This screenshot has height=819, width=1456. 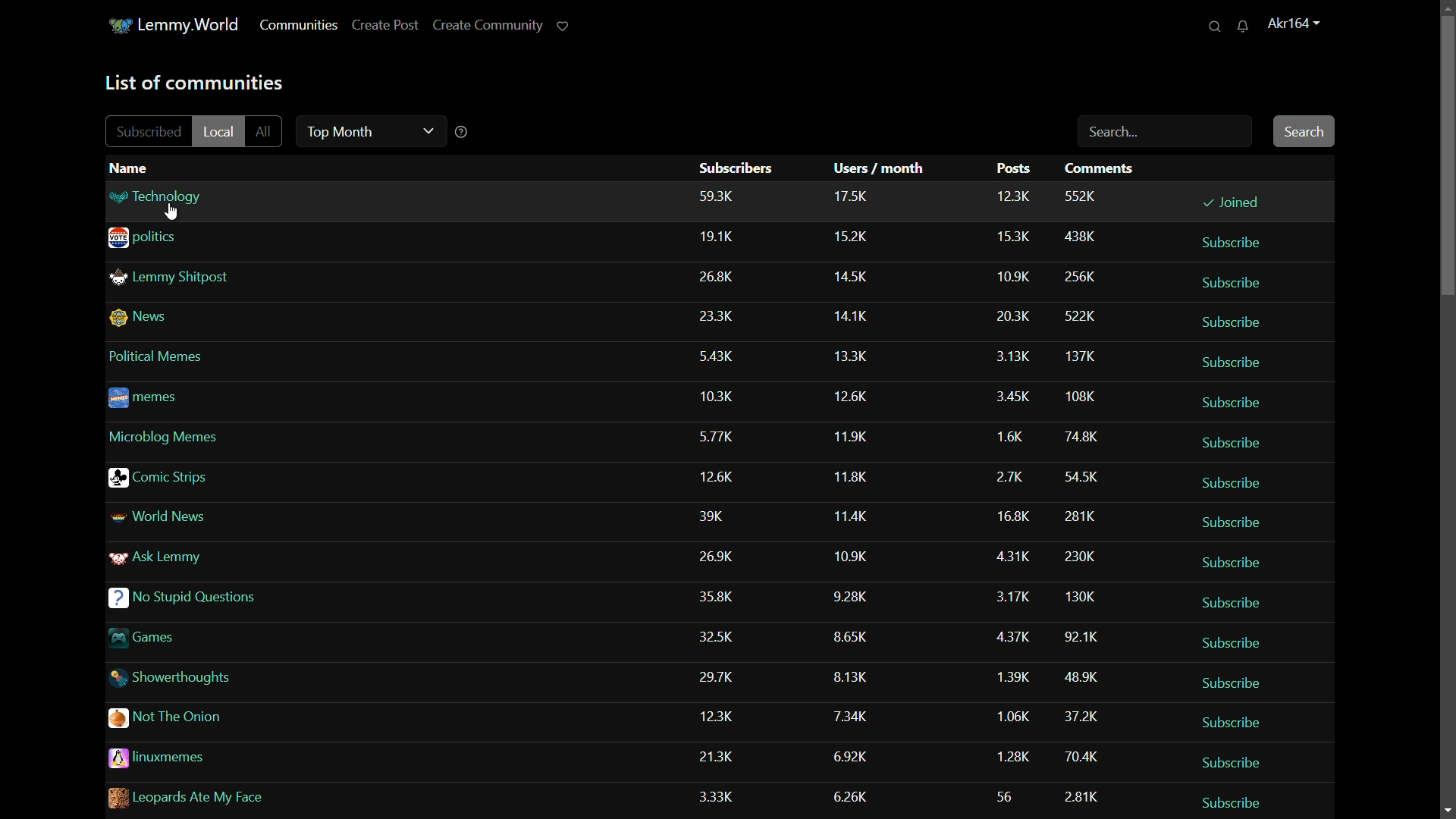 What do you see at coordinates (1238, 480) in the screenshot?
I see `subscribe/unsubscribe` at bounding box center [1238, 480].